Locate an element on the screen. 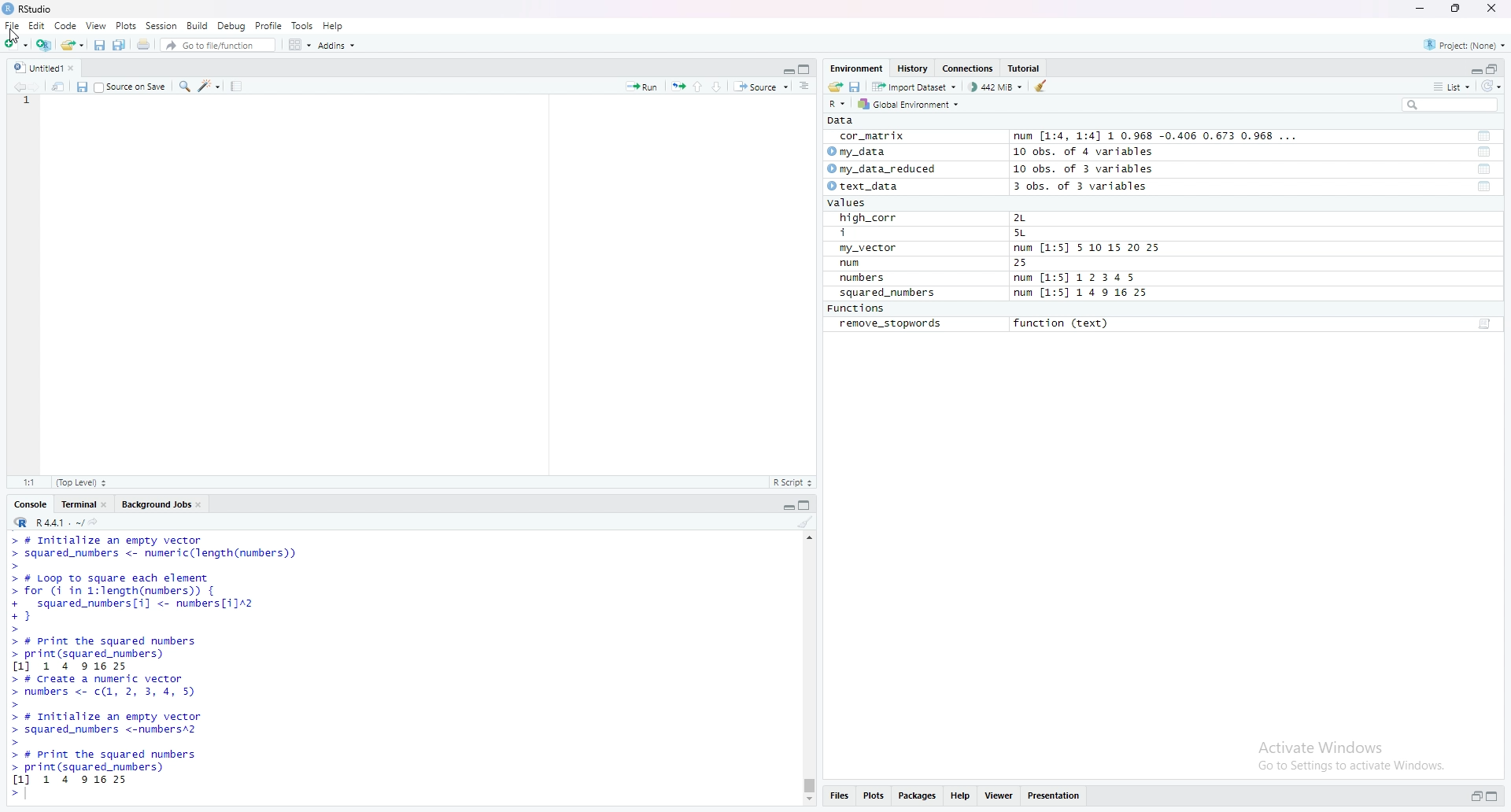 This screenshot has height=812, width=1511. num [1:5] 5 10 15 20 25 is located at coordinates (1086, 247).